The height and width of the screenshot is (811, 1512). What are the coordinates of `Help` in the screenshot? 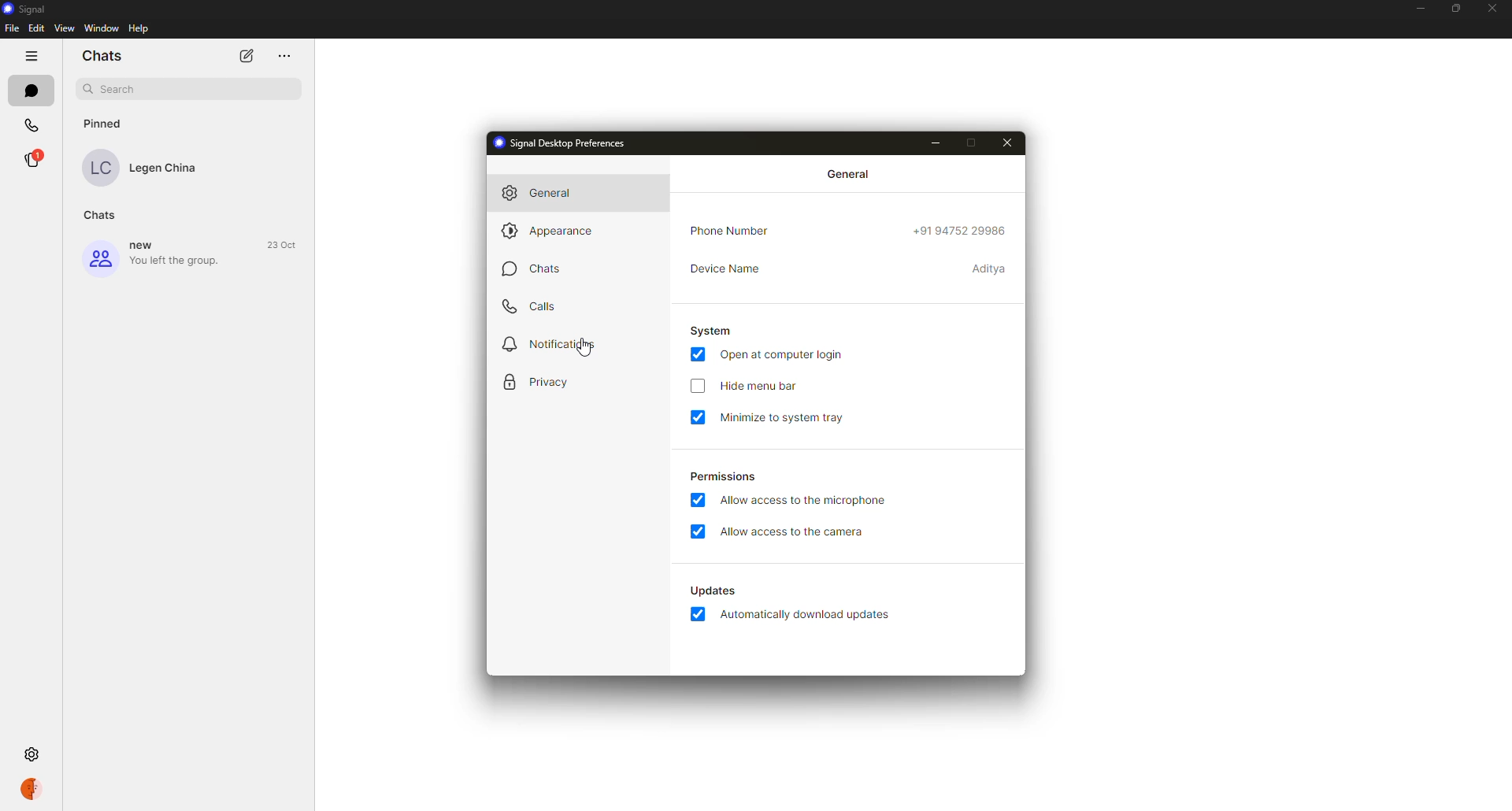 It's located at (139, 28).